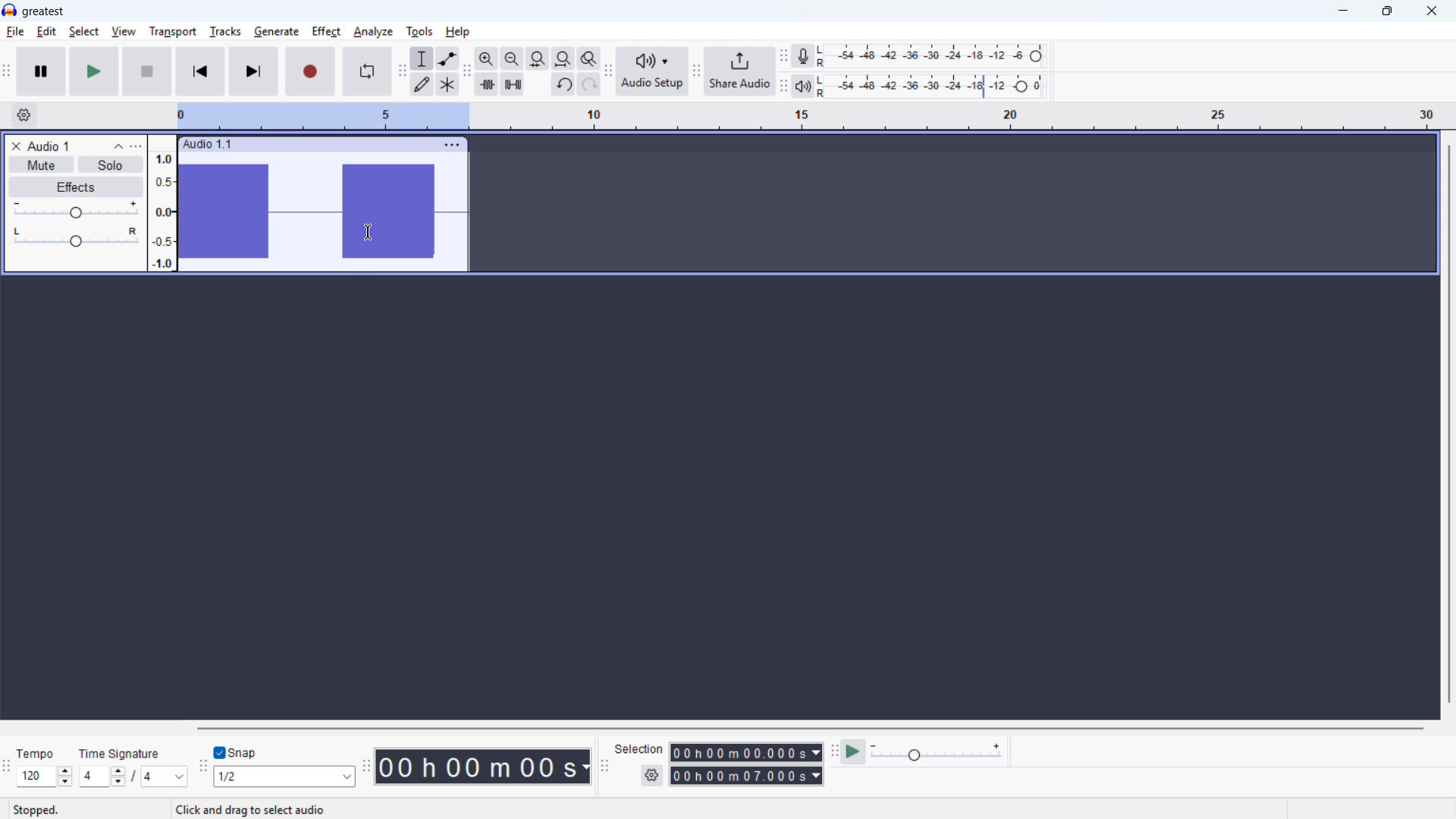 This screenshot has height=819, width=1456. What do you see at coordinates (653, 72) in the screenshot?
I see `Audio setup ` at bounding box center [653, 72].